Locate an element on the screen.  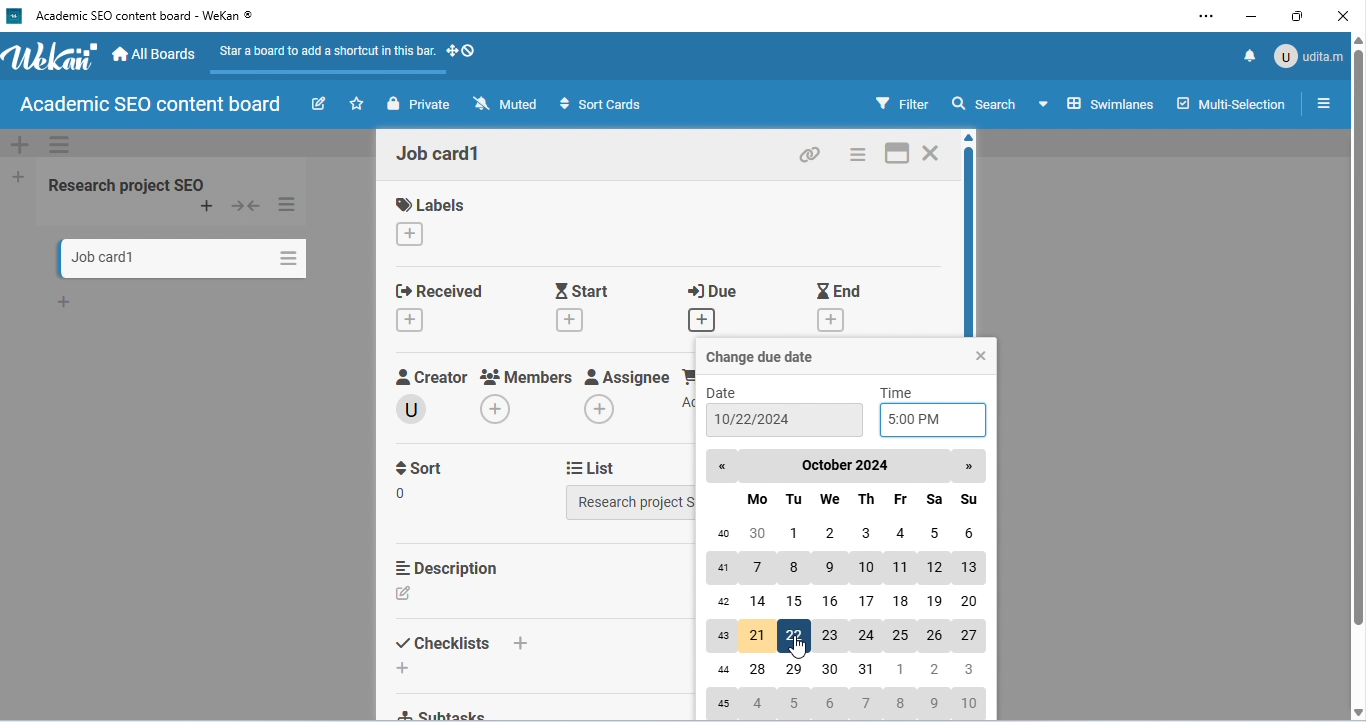
october 2024 is located at coordinates (847, 465).